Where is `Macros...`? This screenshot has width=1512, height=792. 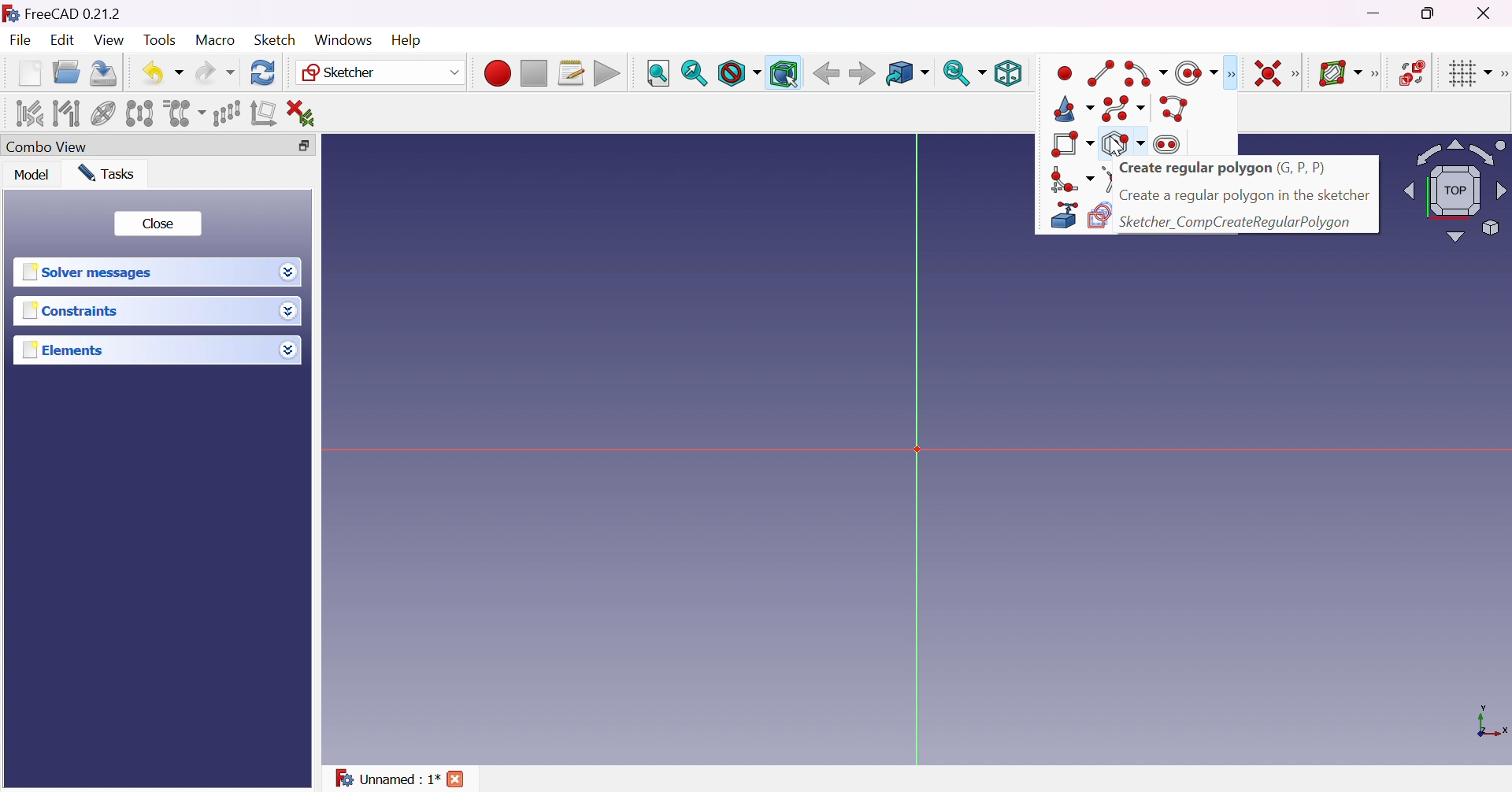 Macros... is located at coordinates (571, 73).